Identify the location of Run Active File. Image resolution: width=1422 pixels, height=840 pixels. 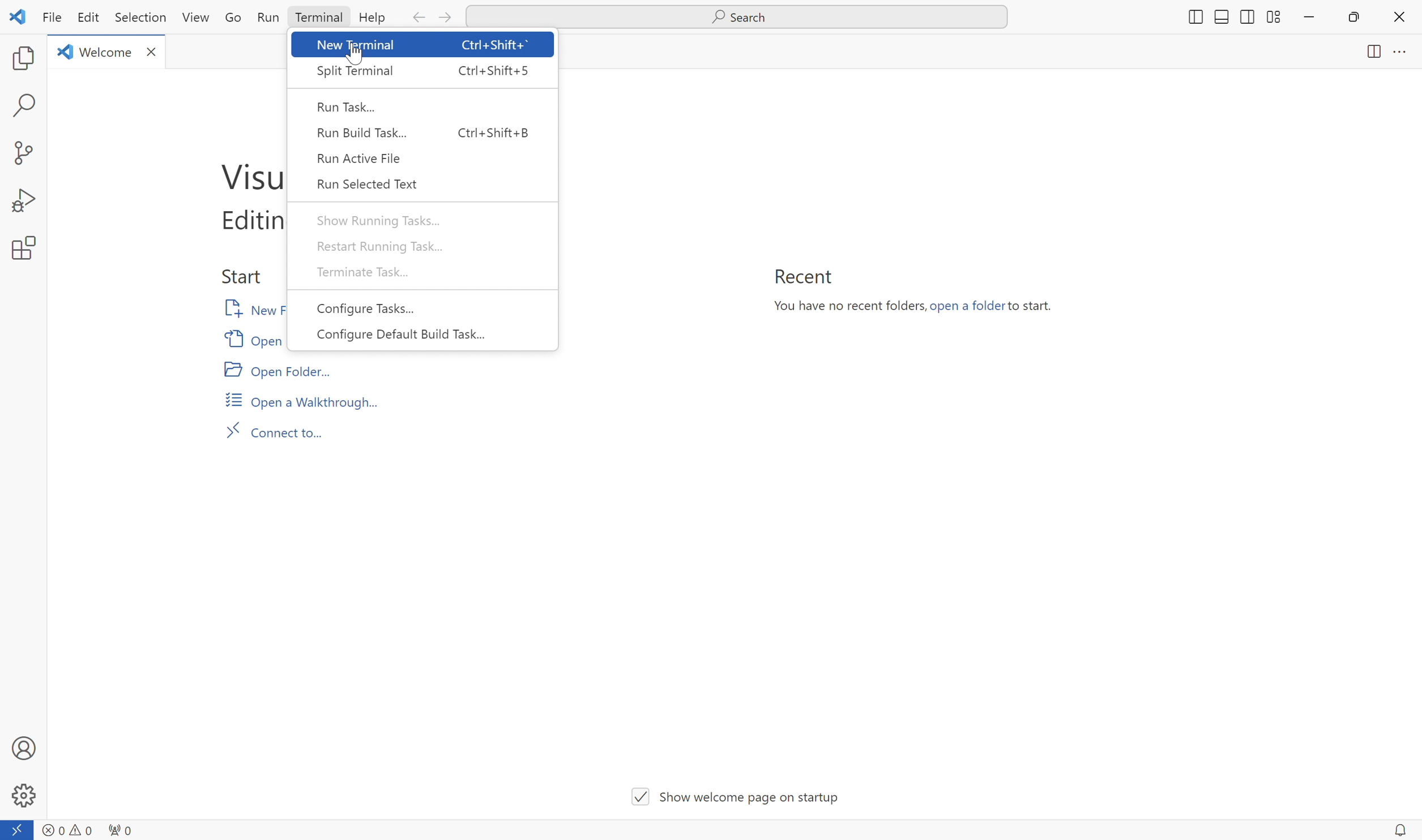
(364, 158).